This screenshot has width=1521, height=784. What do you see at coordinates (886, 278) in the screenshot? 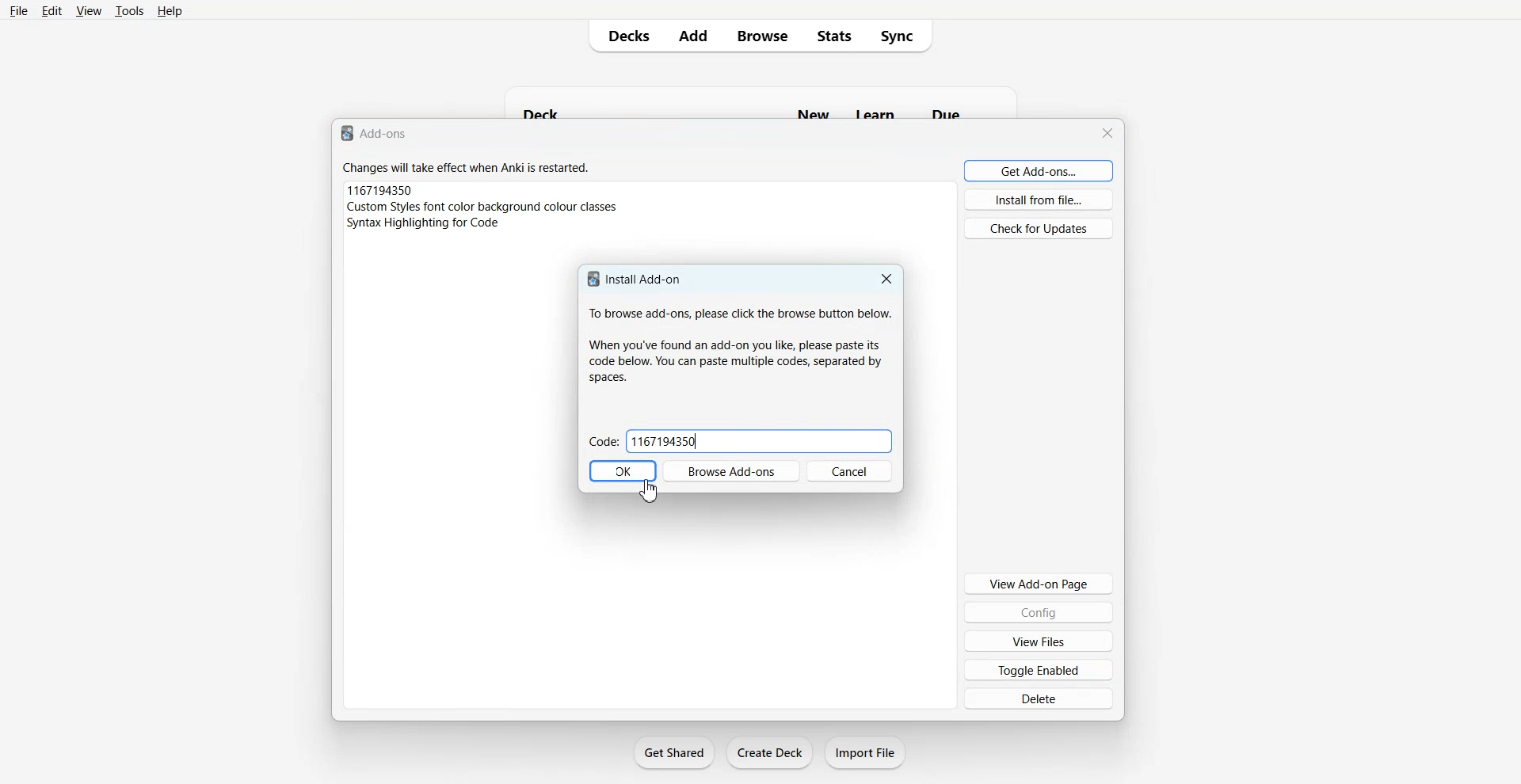
I see `Close` at bounding box center [886, 278].